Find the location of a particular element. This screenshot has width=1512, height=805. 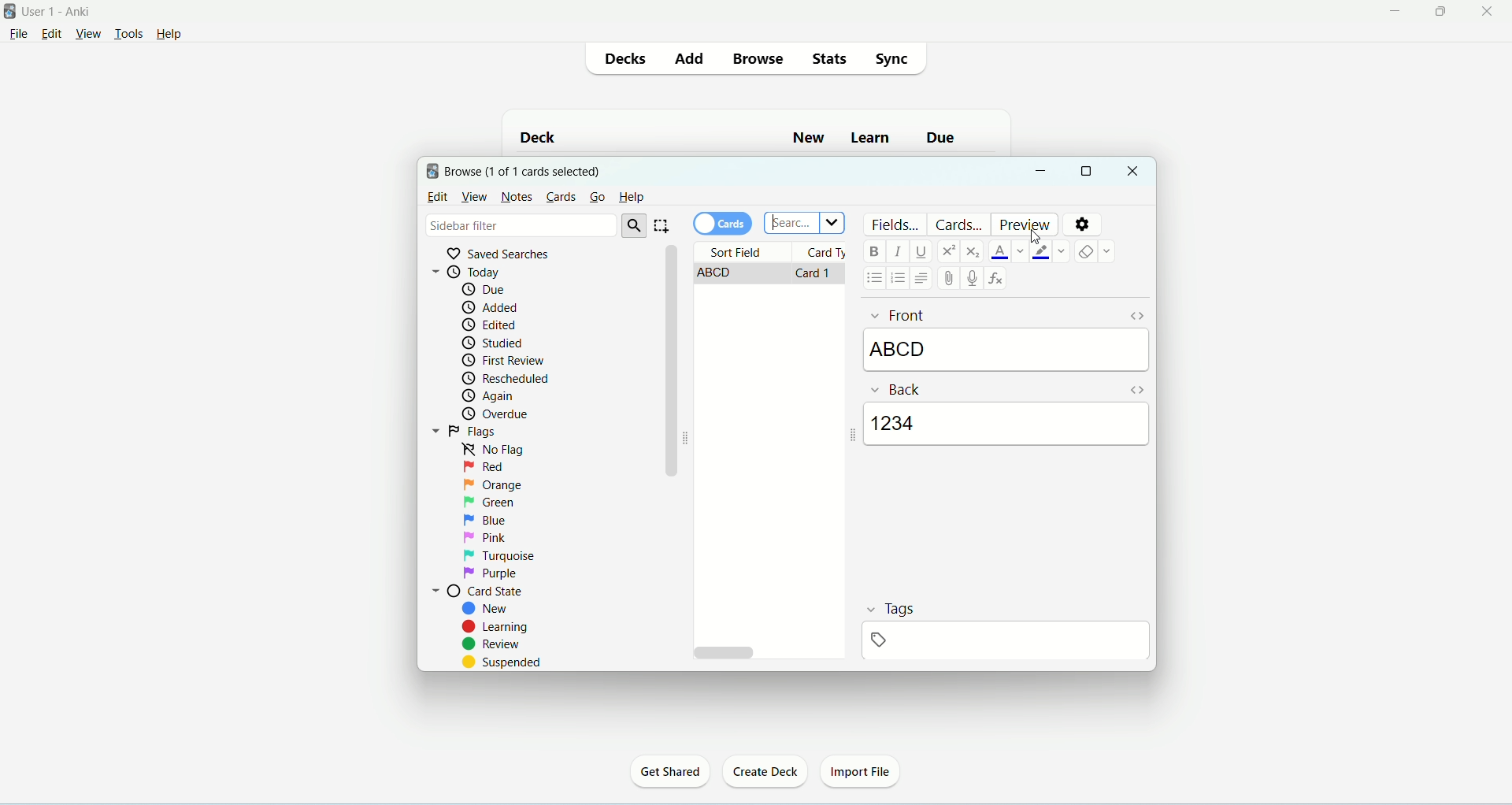

close is located at coordinates (1489, 10).